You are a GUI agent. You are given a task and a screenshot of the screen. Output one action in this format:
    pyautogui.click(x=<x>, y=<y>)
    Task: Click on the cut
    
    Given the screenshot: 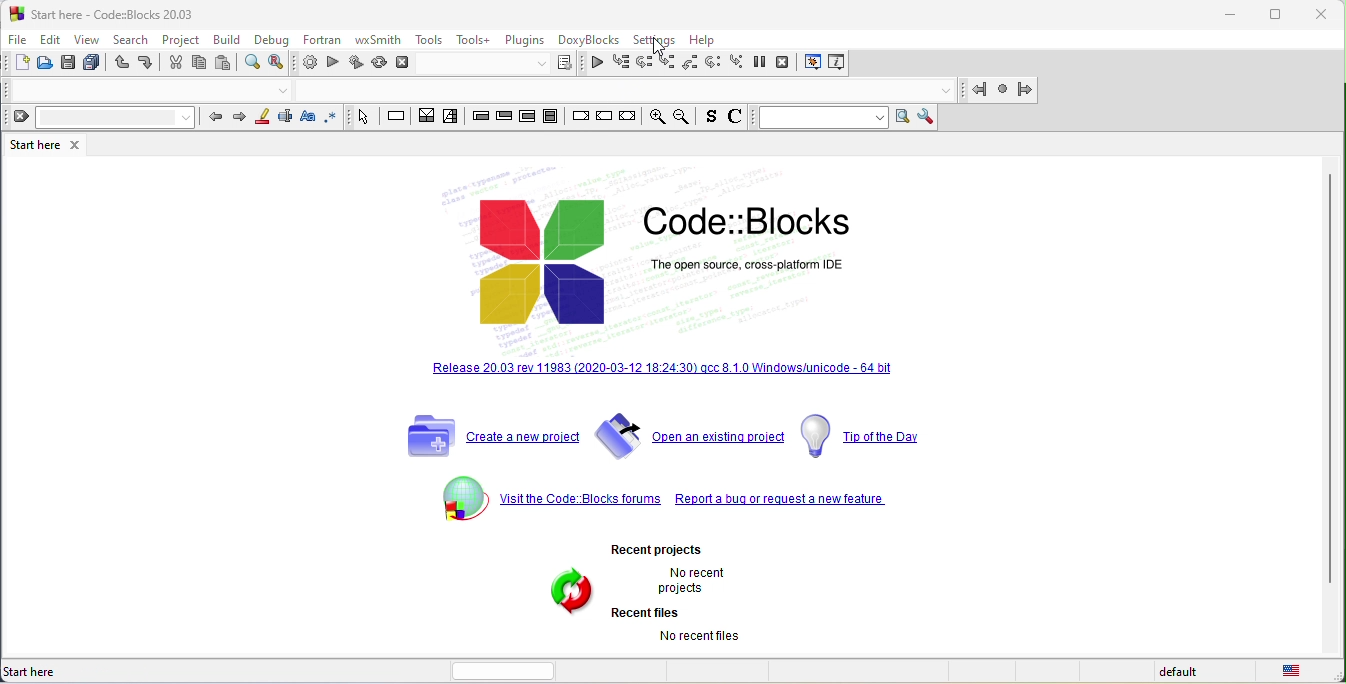 What is the action you would take?
    pyautogui.click(x=176, y=64)
    